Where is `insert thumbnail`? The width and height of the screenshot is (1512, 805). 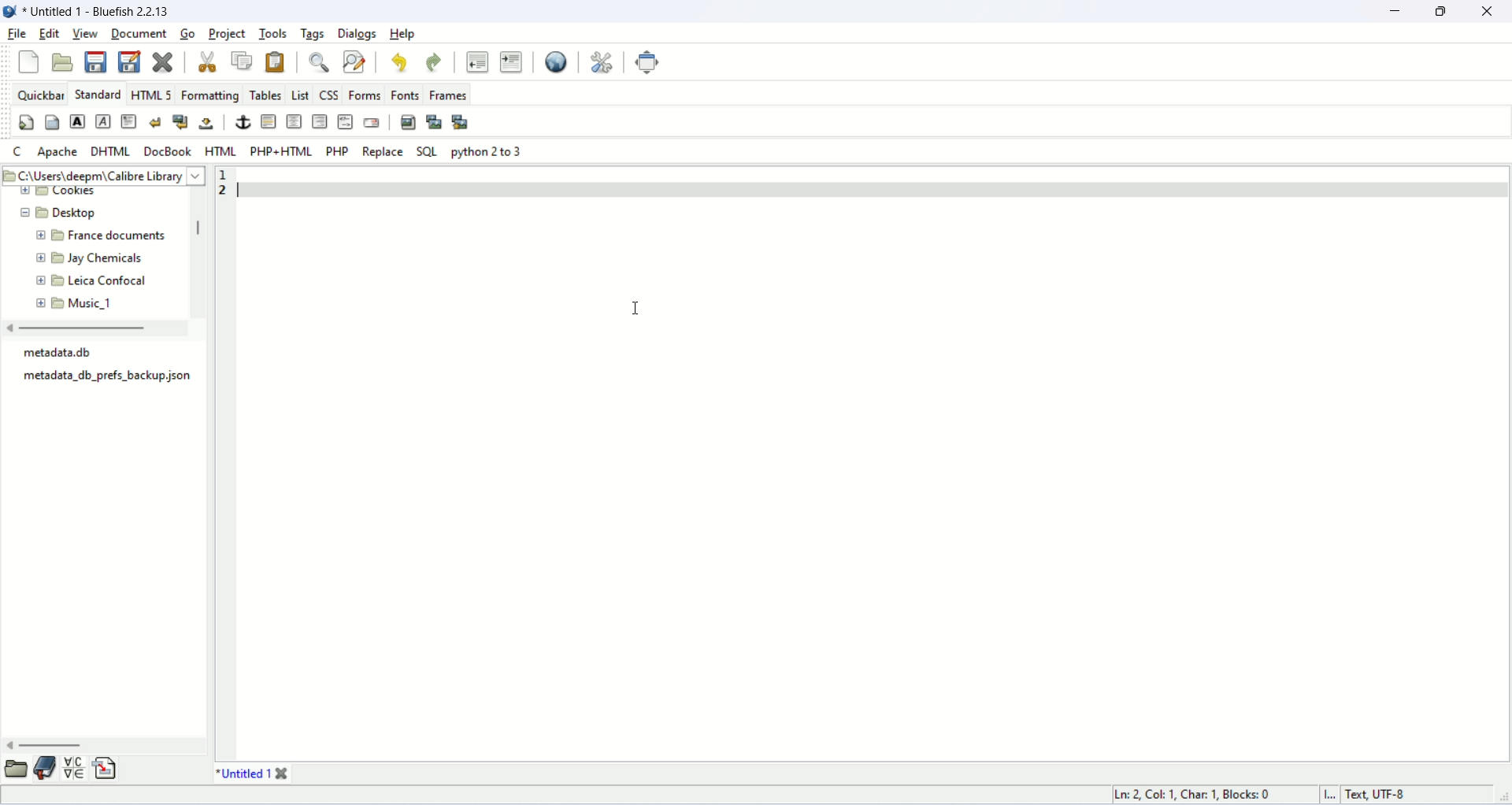
insert thumbnail is located at coordinates (434, 122).